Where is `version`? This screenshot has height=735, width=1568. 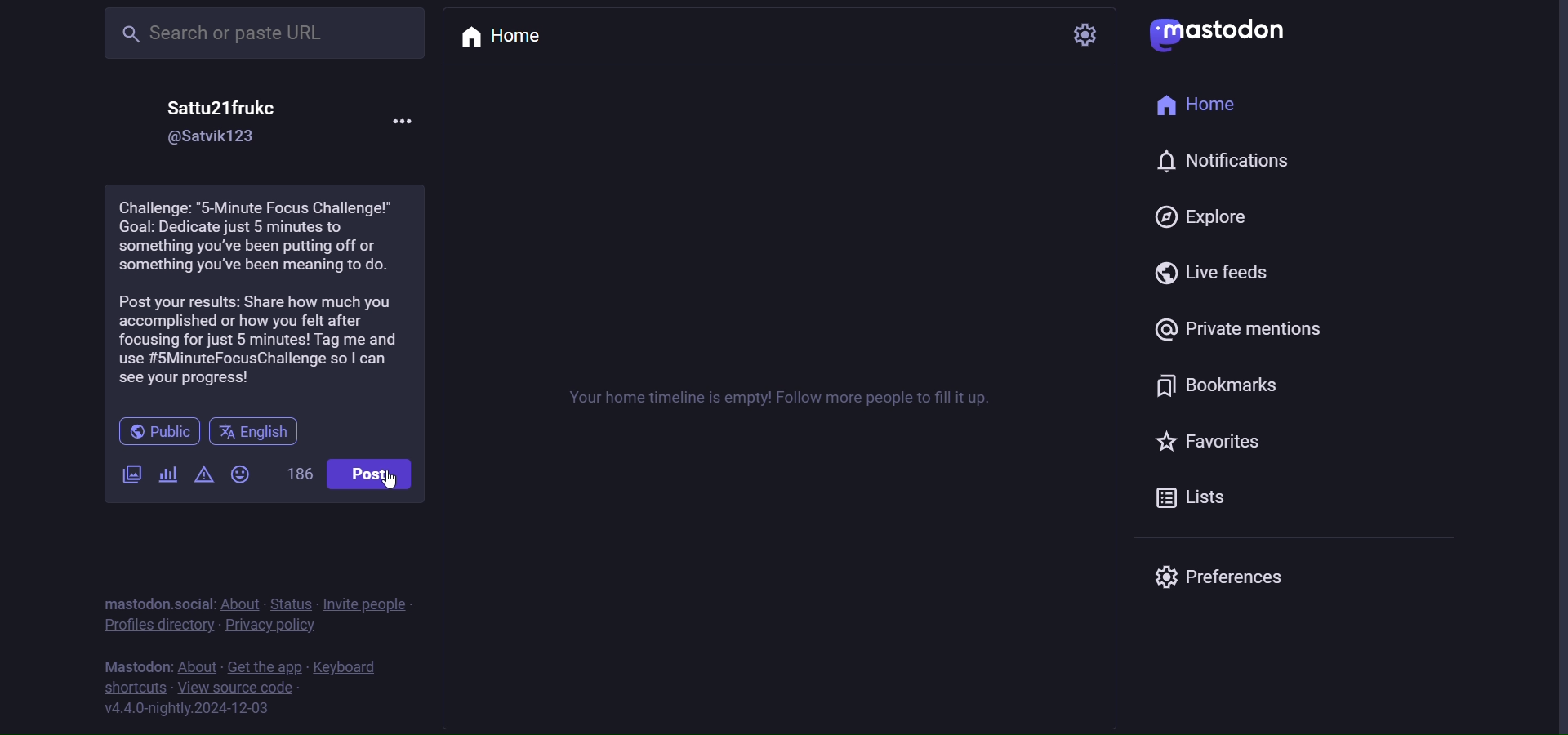 version is located at coordinates (184, 709).